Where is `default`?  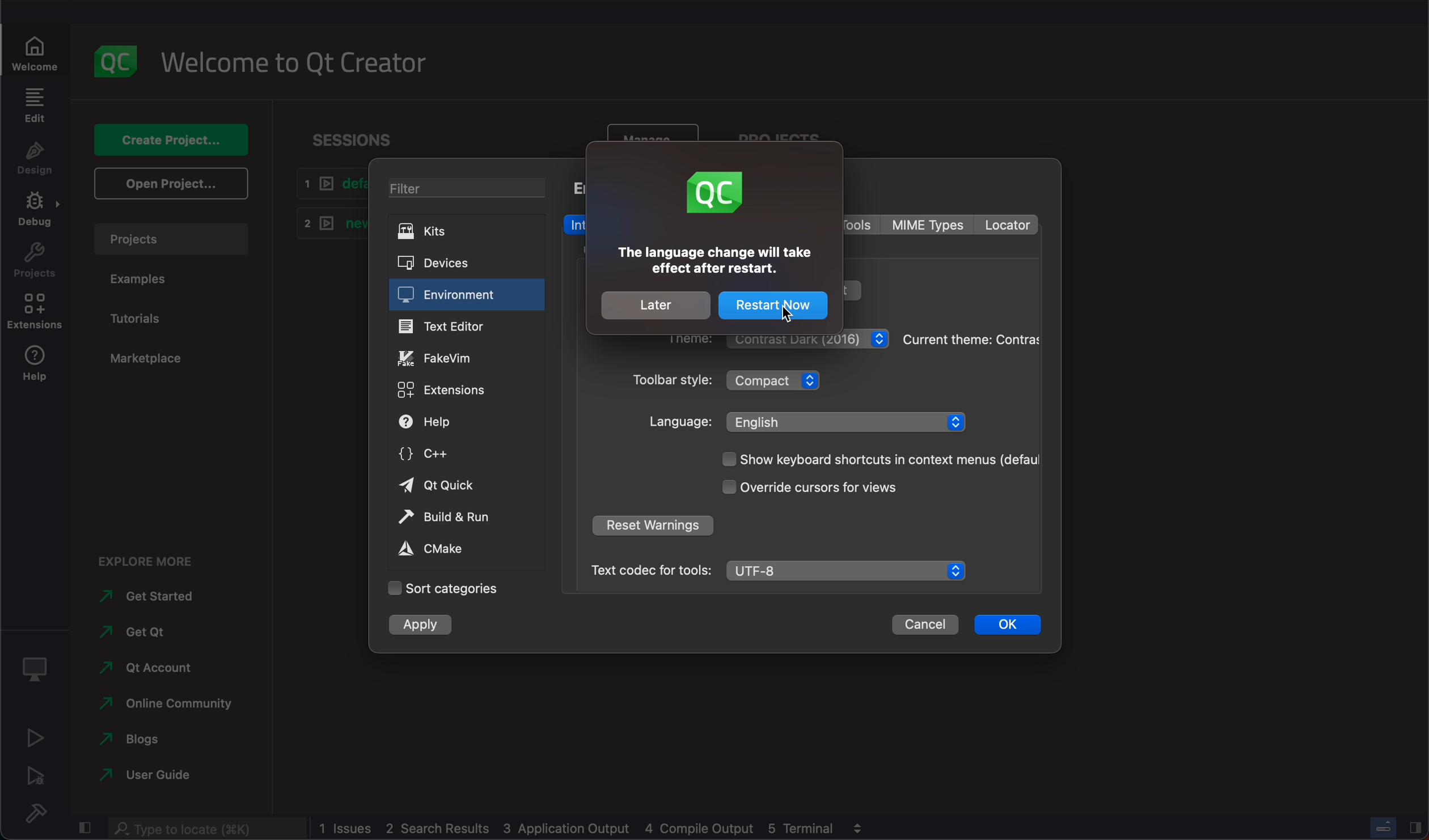 default is located at coordinates (326, 186).